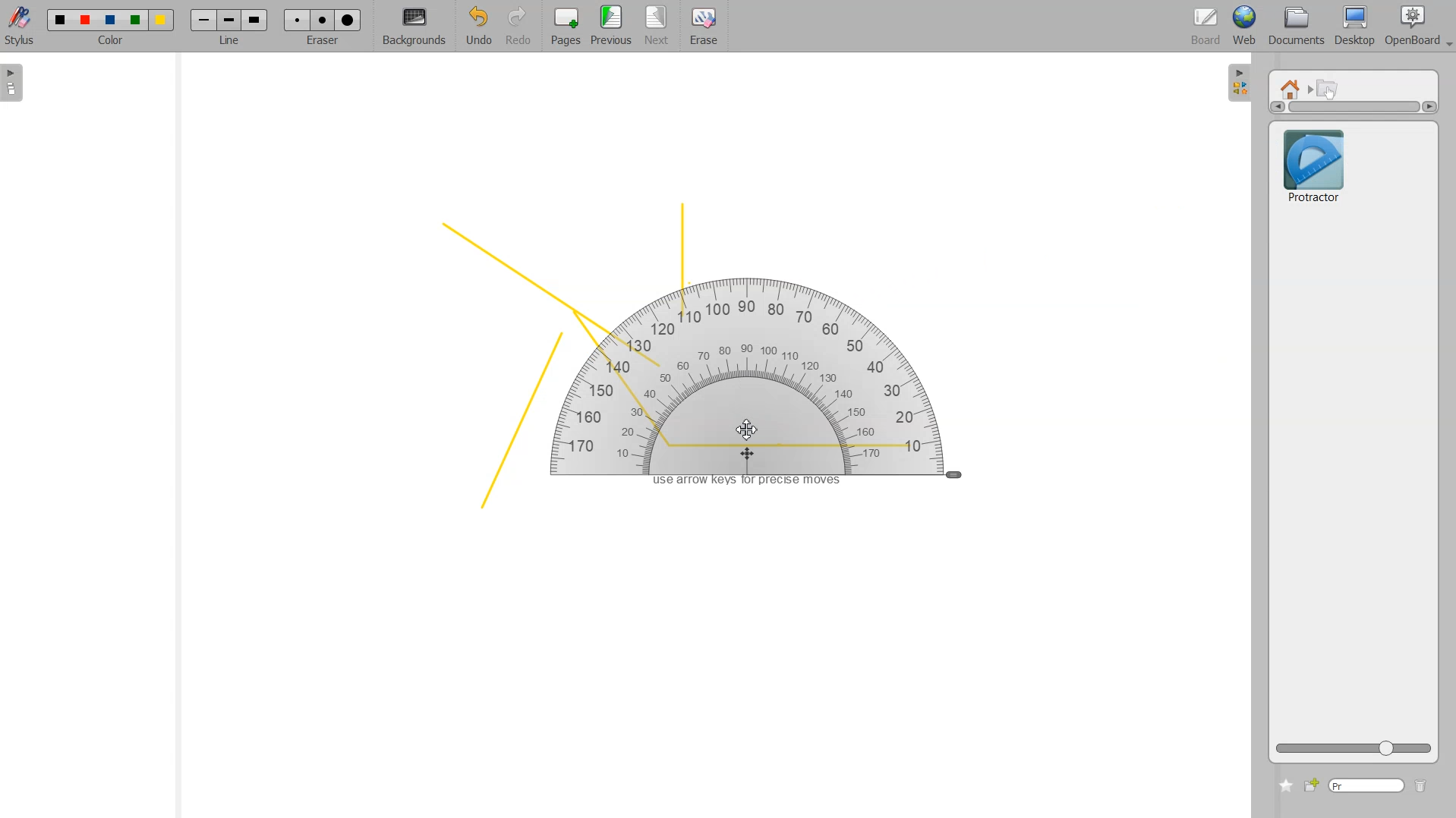 The image size is (1456, 818). What do you see at coordinates (1328, 88) in the screenshot?
I see `Interactive` at bounding box center [1328, 88].